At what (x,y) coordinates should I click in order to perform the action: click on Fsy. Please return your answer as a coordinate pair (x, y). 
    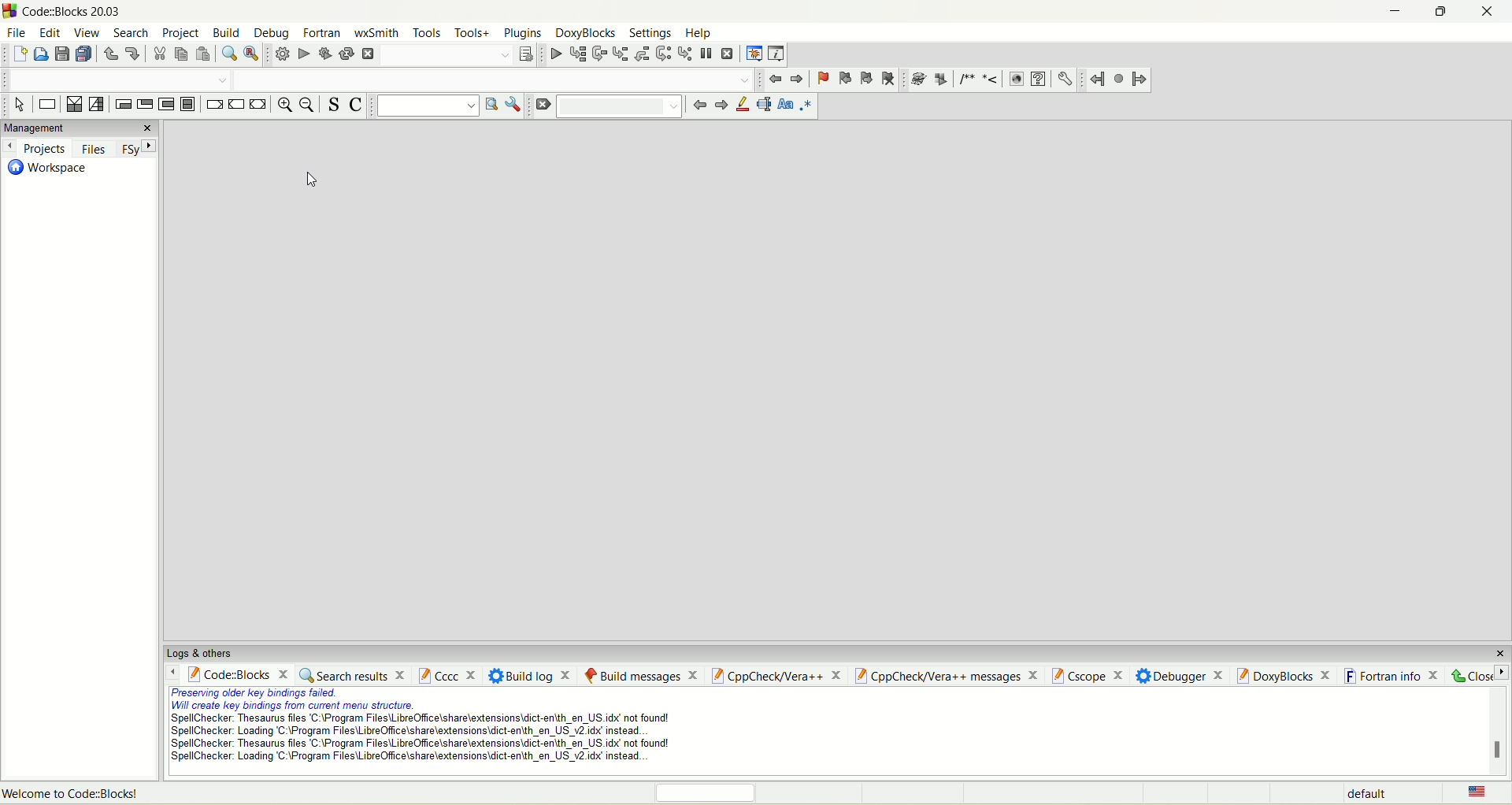
    Looking at the image, I should click on (138, 148).